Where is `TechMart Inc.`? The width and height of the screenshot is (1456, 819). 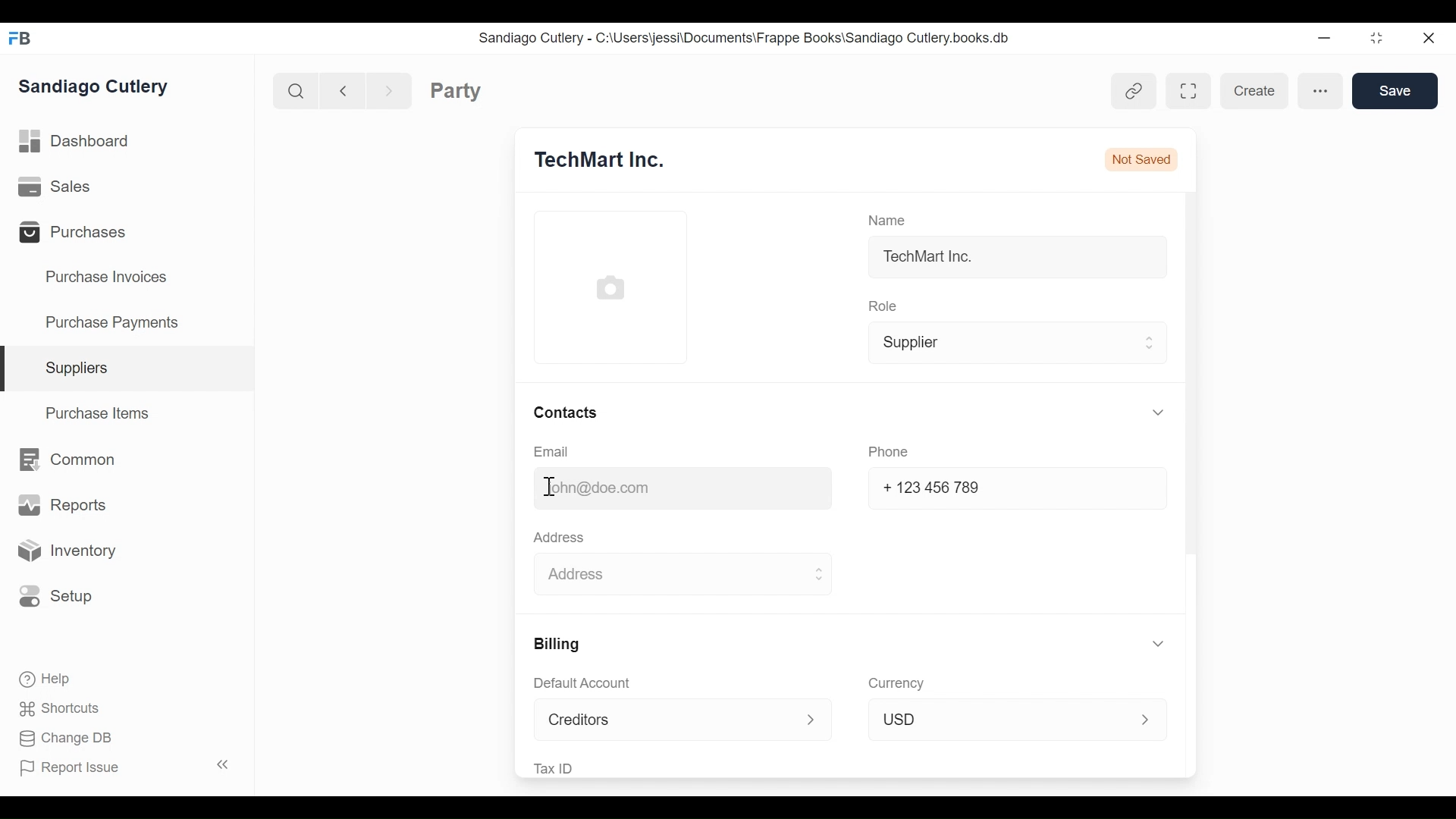
TechMart Inc. is located at coordinates (616, 159).